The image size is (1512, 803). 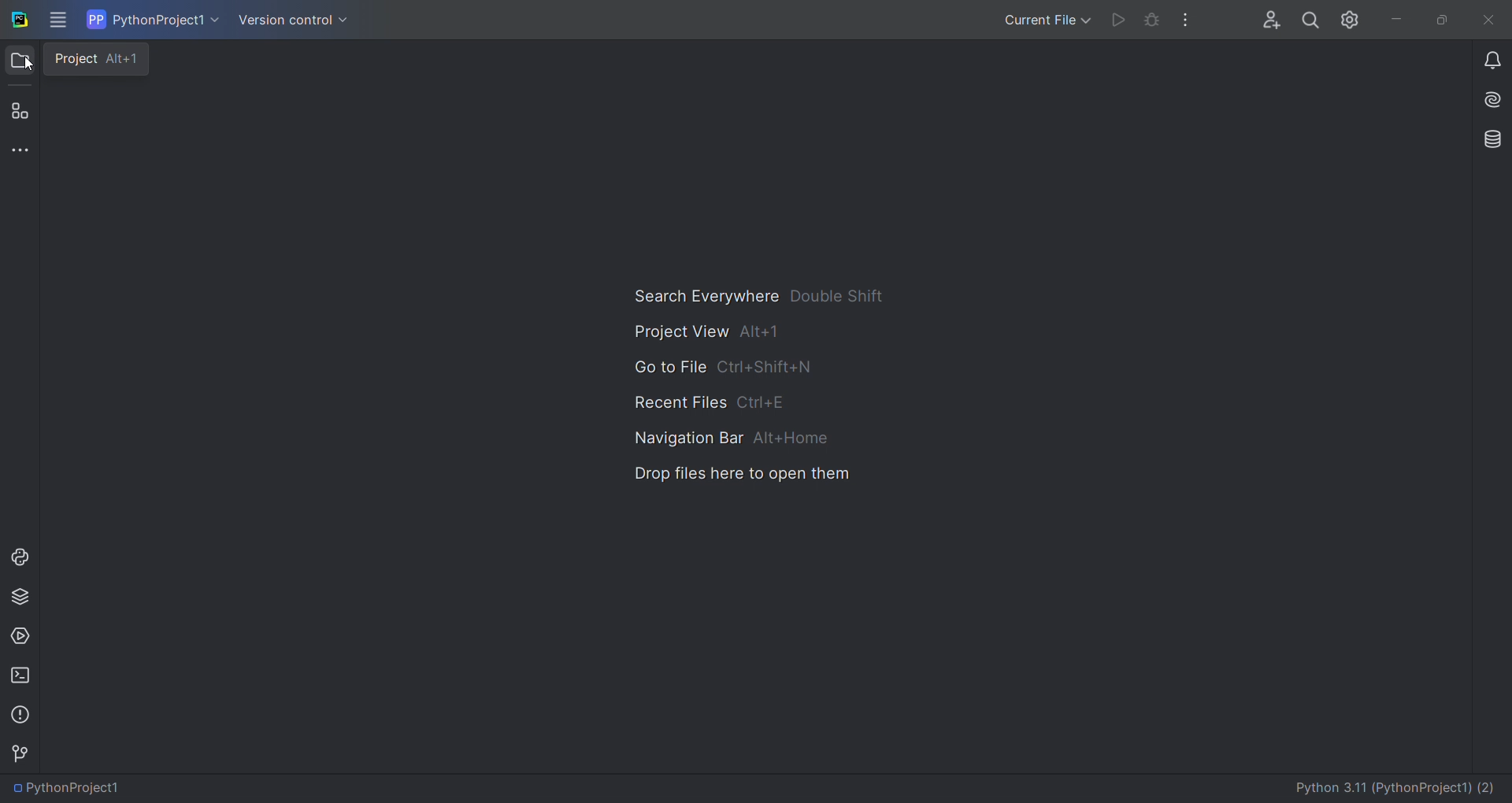 What do you see at coordinates (22, 61) in the screenshot?
I see `folder window` at bounding box center [22, 61].